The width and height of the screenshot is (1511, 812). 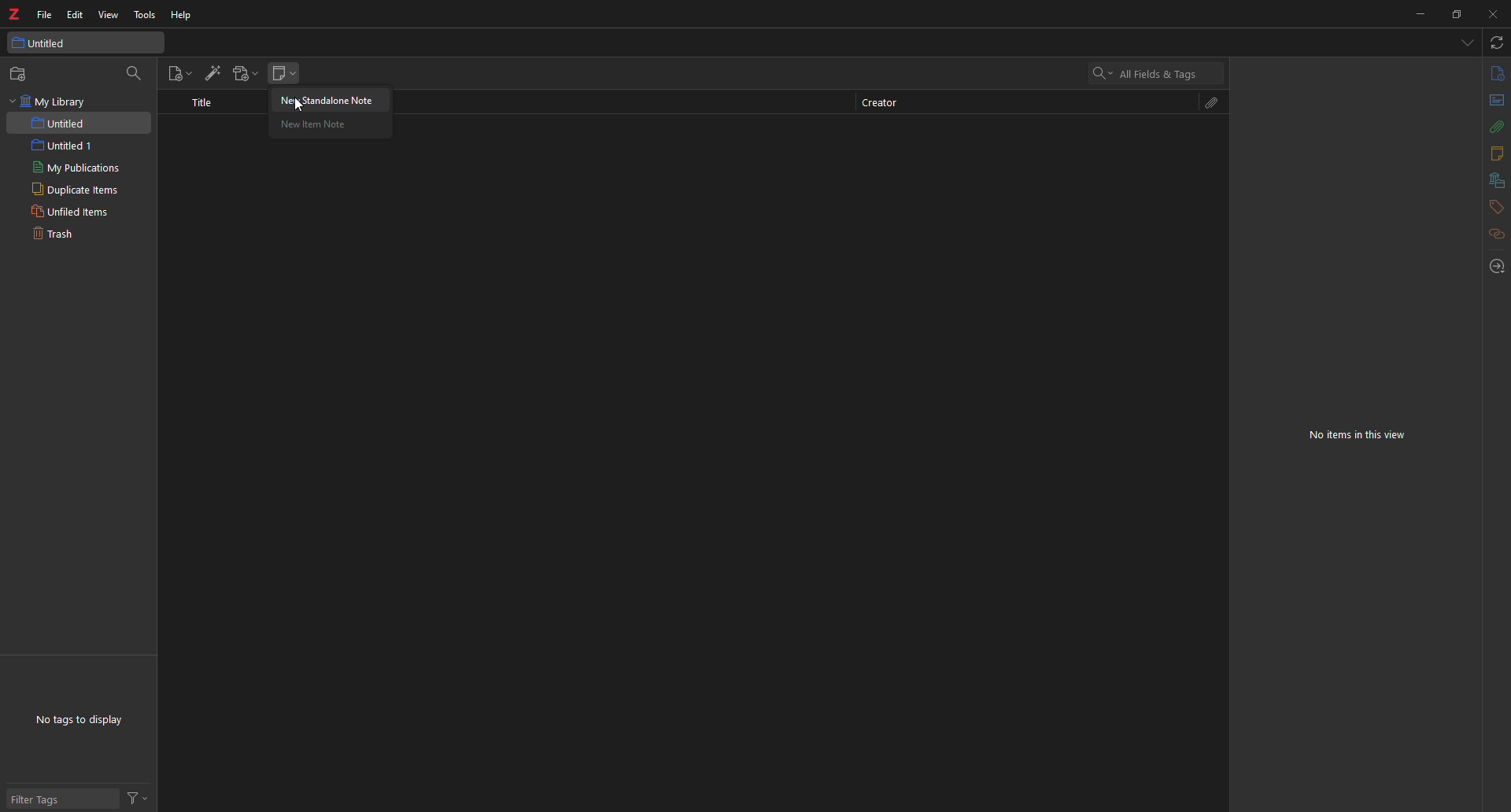 What do you see at coordinates (303, 105) in the screenshot?
I see `cursor` at bounding box center [303, 105].